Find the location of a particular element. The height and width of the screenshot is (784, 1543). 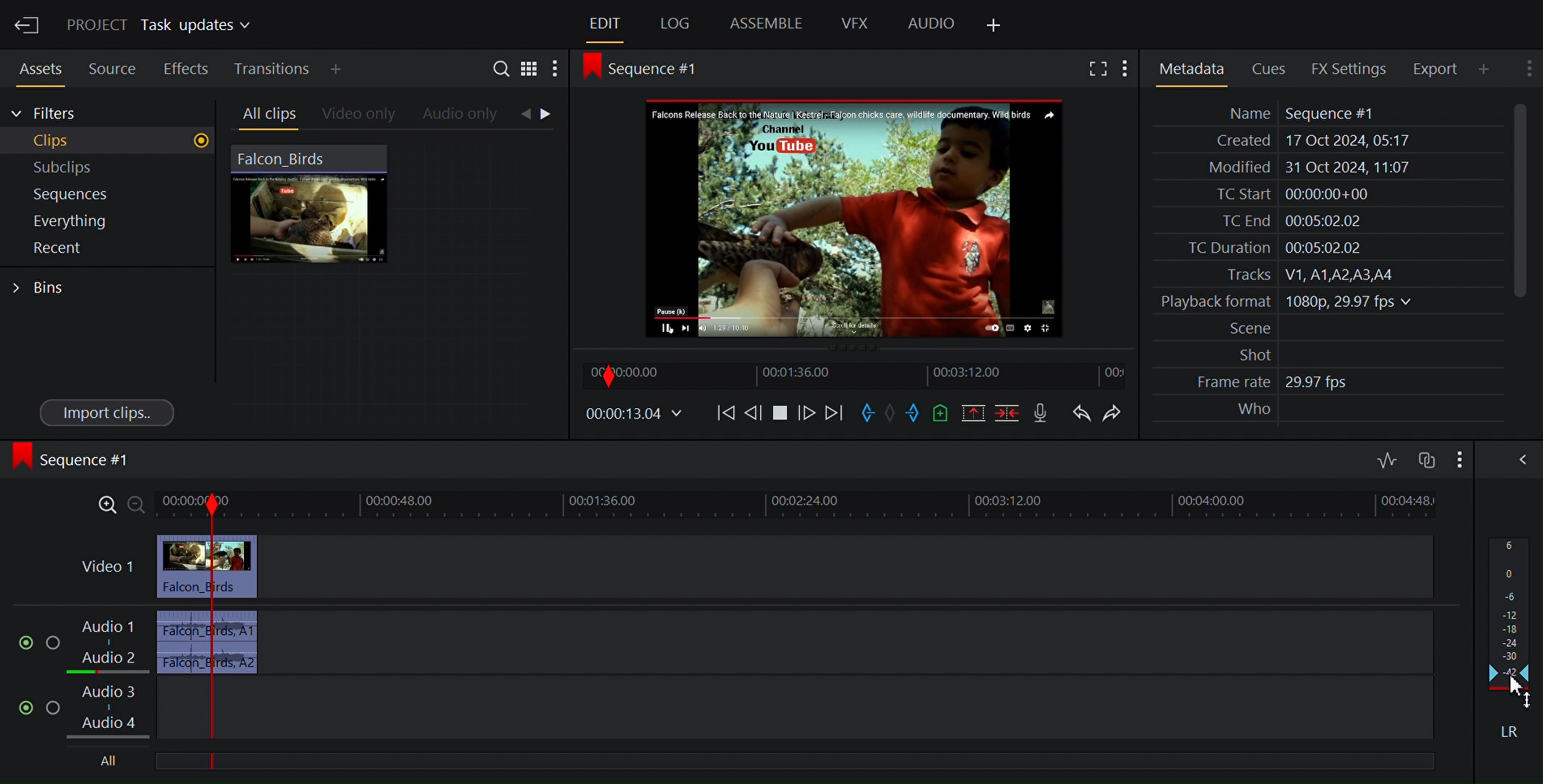

Cursor is located at coordinates (1511, 693).